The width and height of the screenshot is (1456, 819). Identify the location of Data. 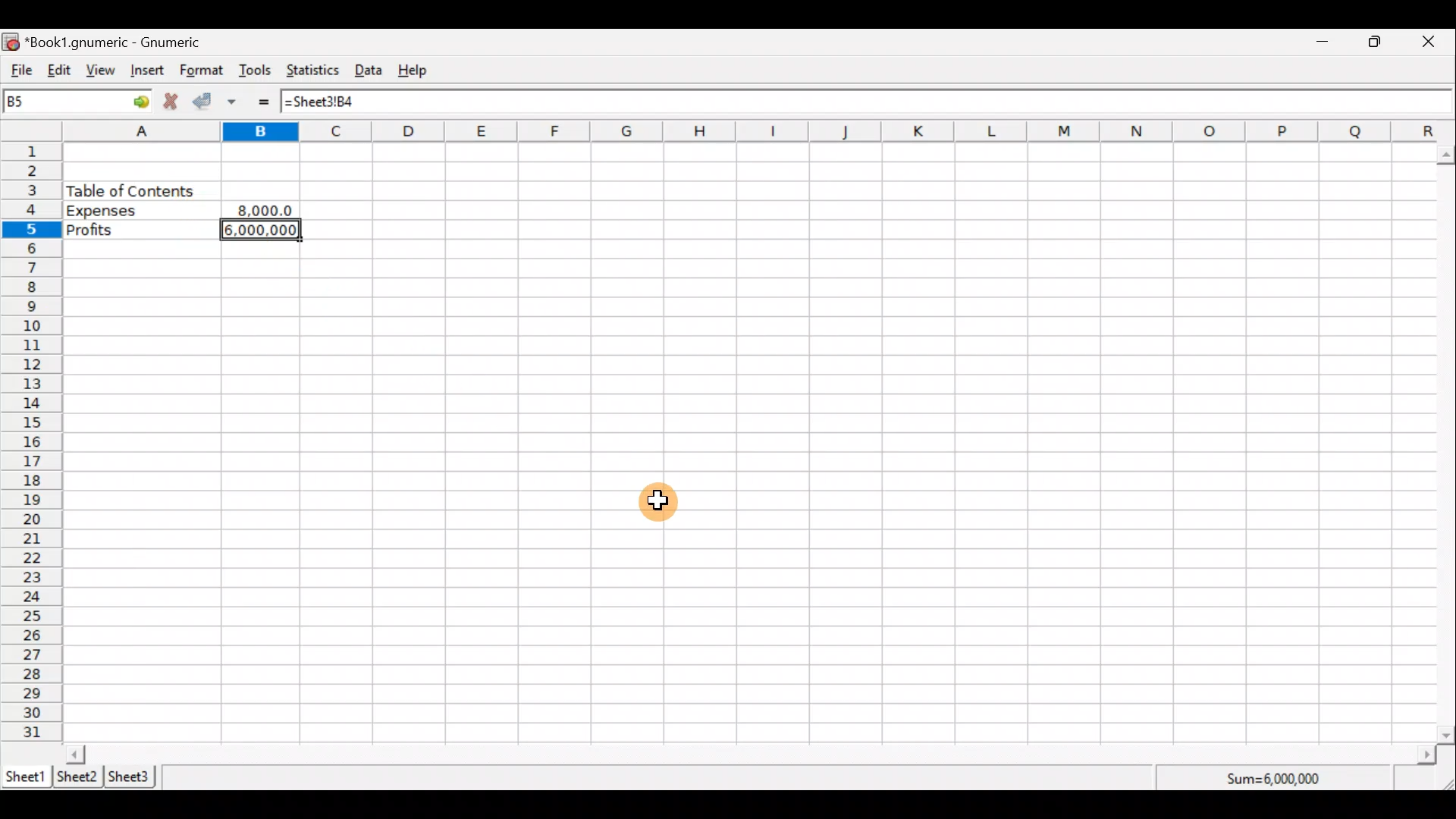
(373, 71).